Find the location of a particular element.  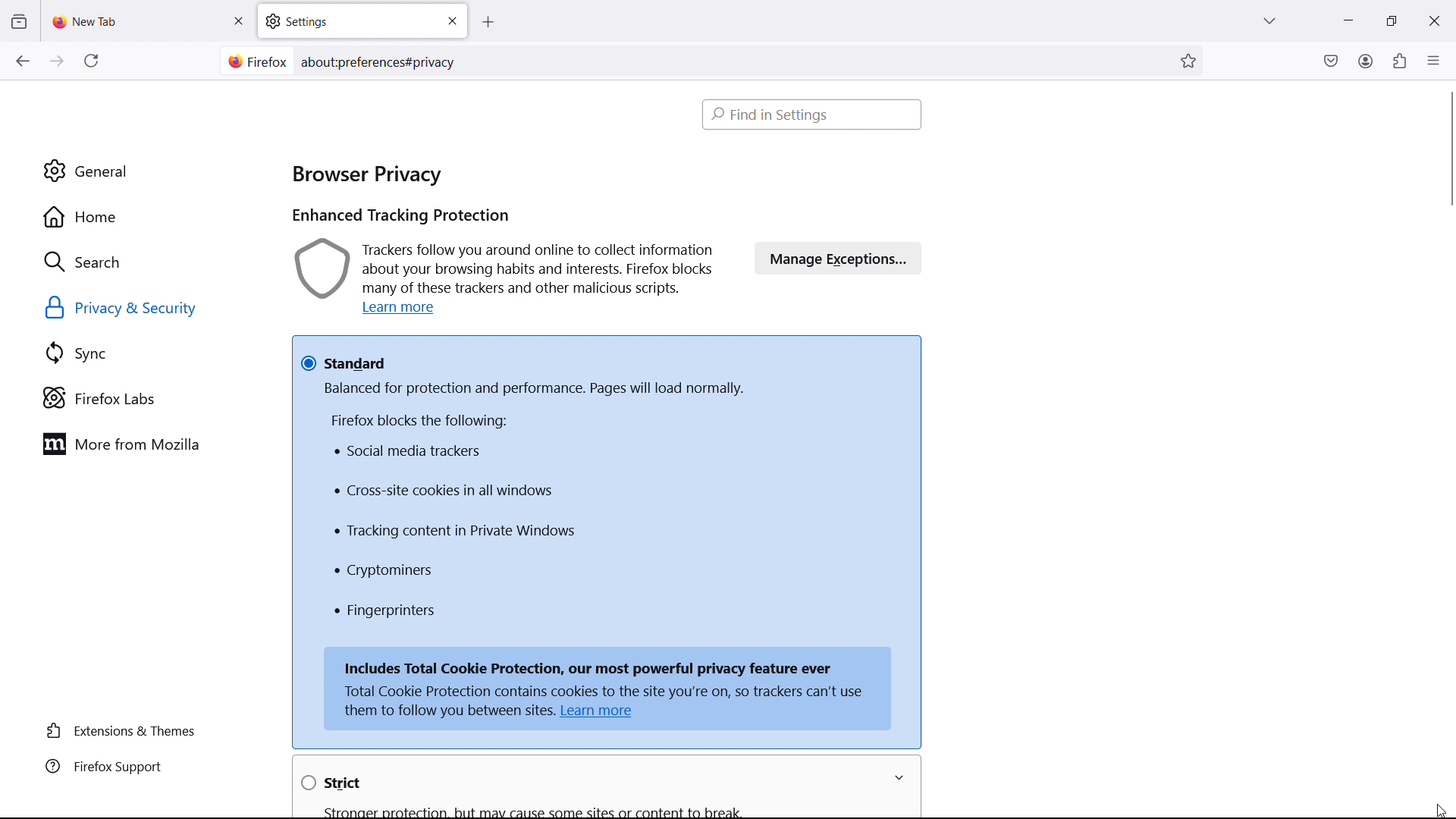

close tab is located at coordinates (238, 21).